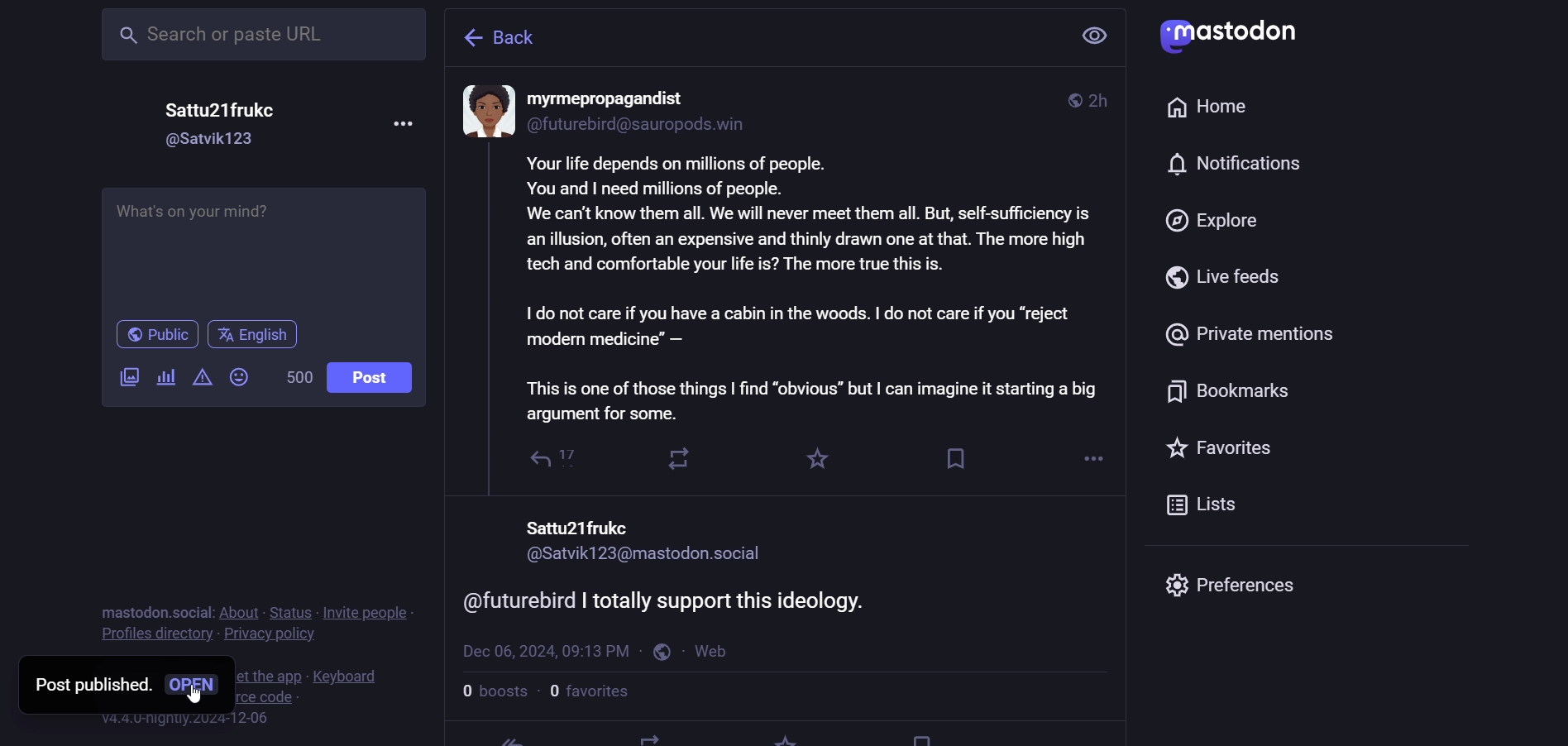  I want to click on get the app, so click(266, 676).